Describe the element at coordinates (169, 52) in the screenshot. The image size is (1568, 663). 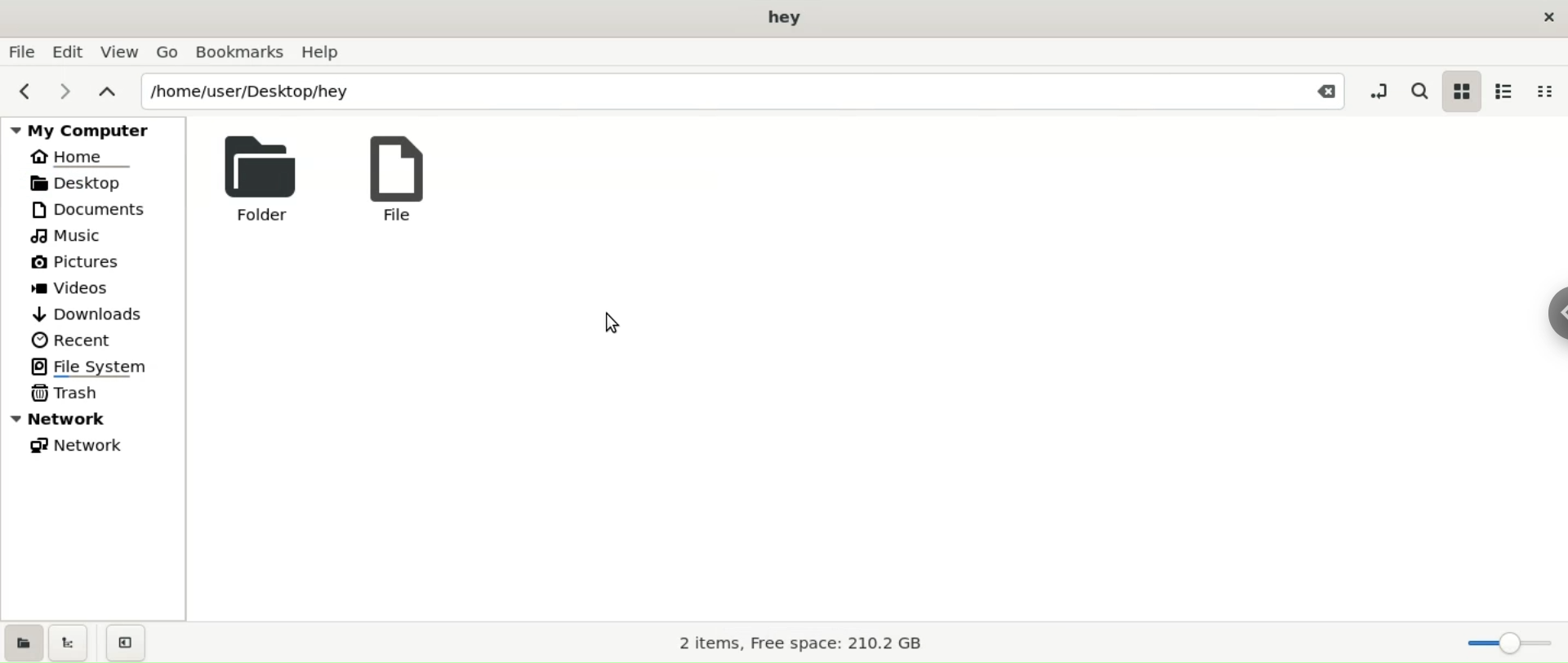
I see `Go ` at that location.